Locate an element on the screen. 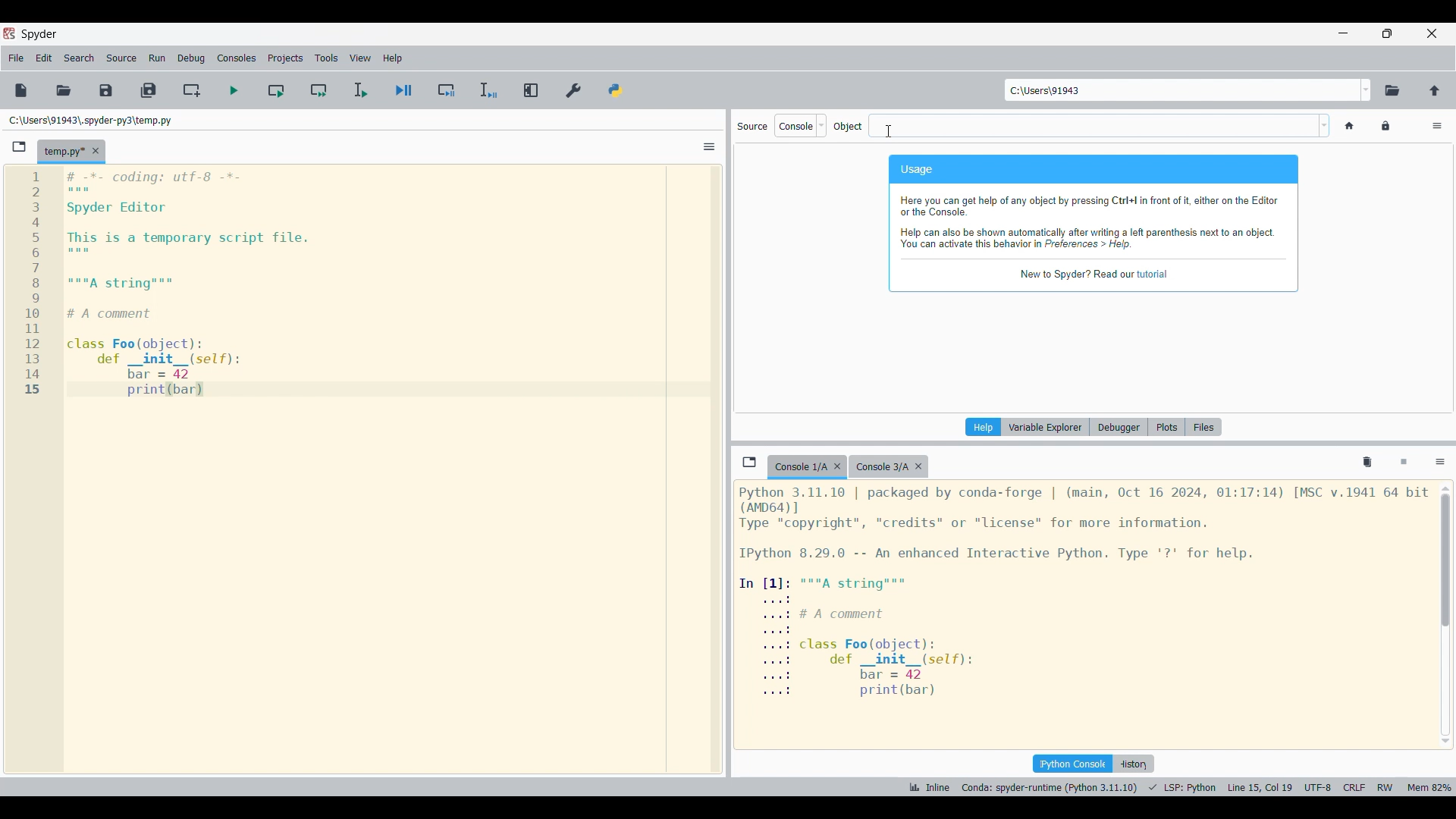  Run current cell and go to next is located at coordinates (320, 90).